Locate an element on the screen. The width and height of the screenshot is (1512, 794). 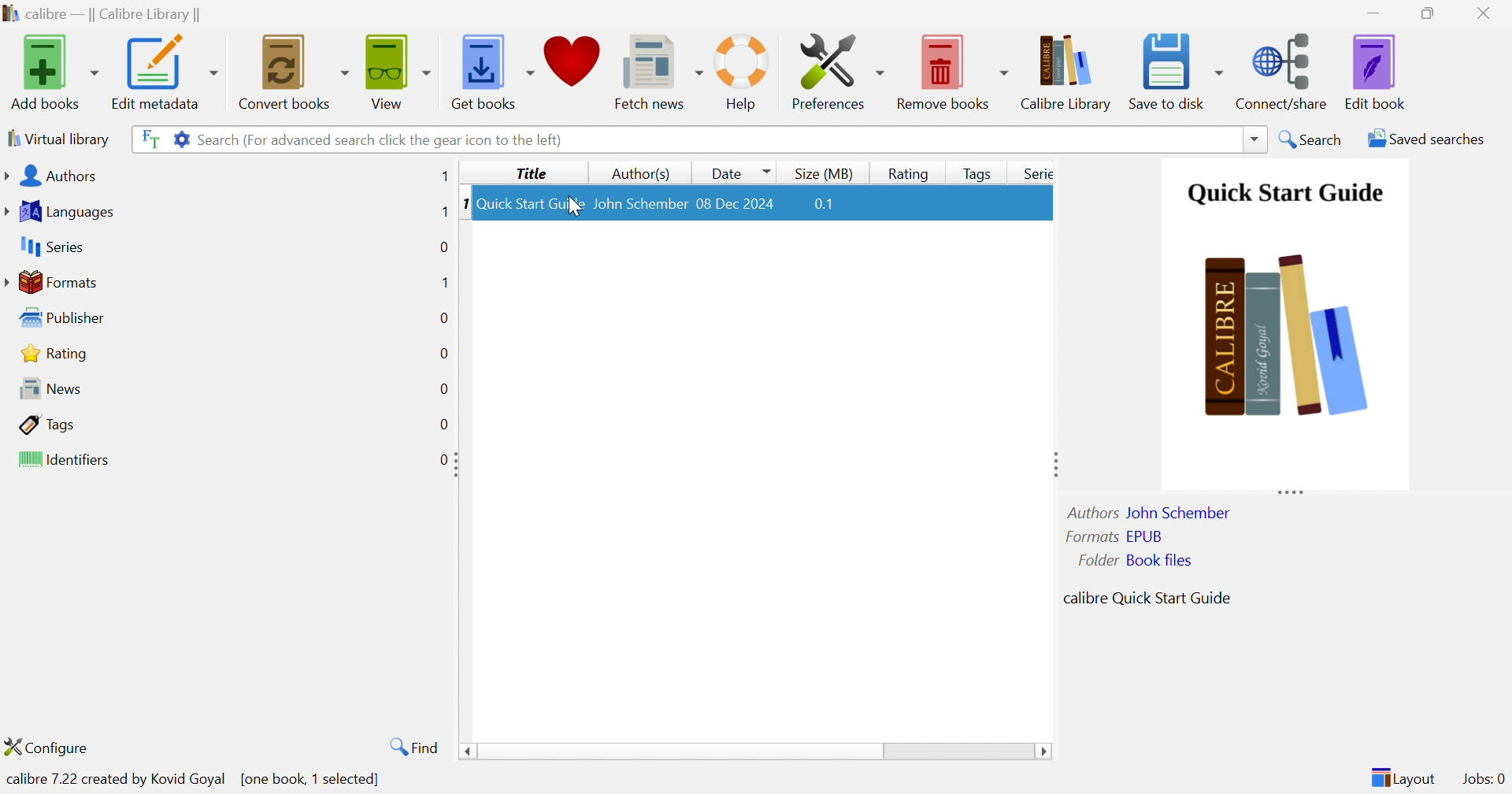
Series is located at coordinates (50, 246).